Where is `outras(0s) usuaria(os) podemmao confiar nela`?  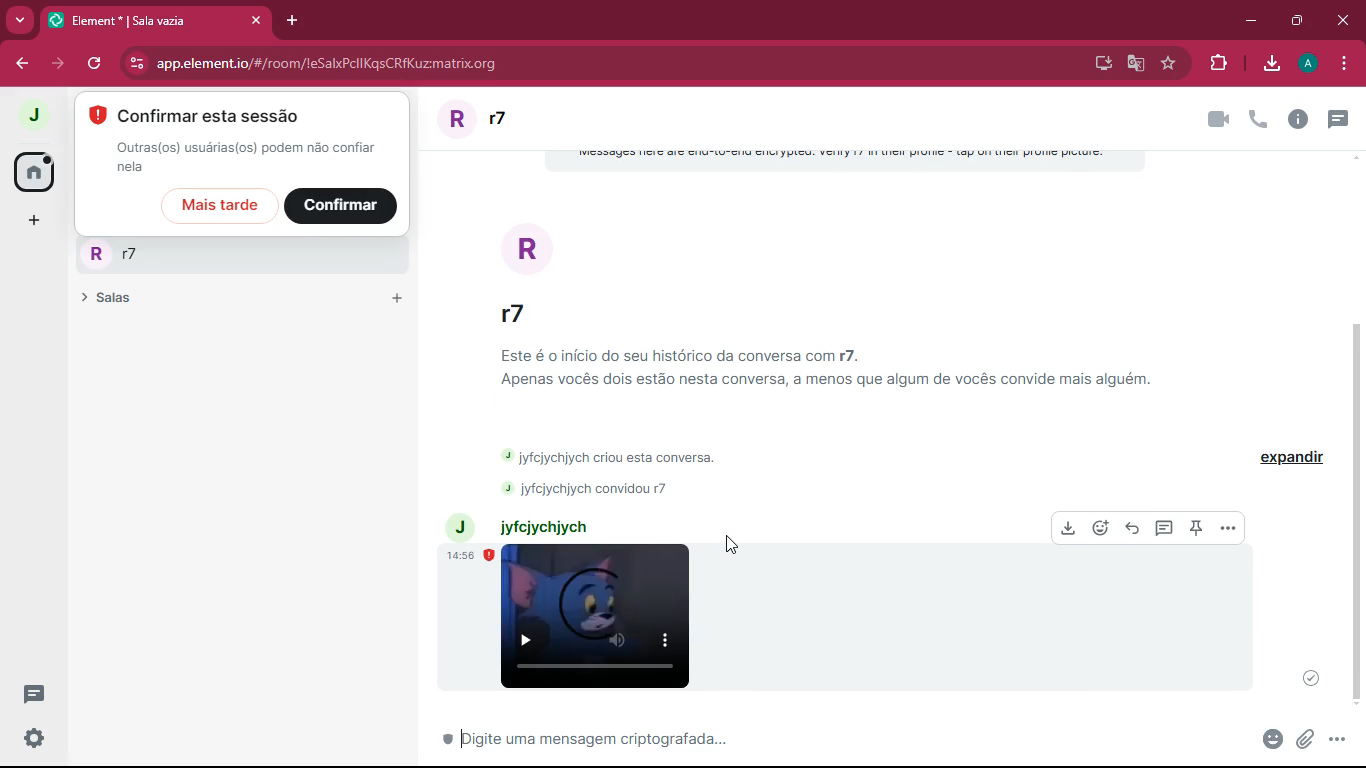 outras(0s) usuaria(os) podemmao confiar nela is located at coordinates (243, 157).